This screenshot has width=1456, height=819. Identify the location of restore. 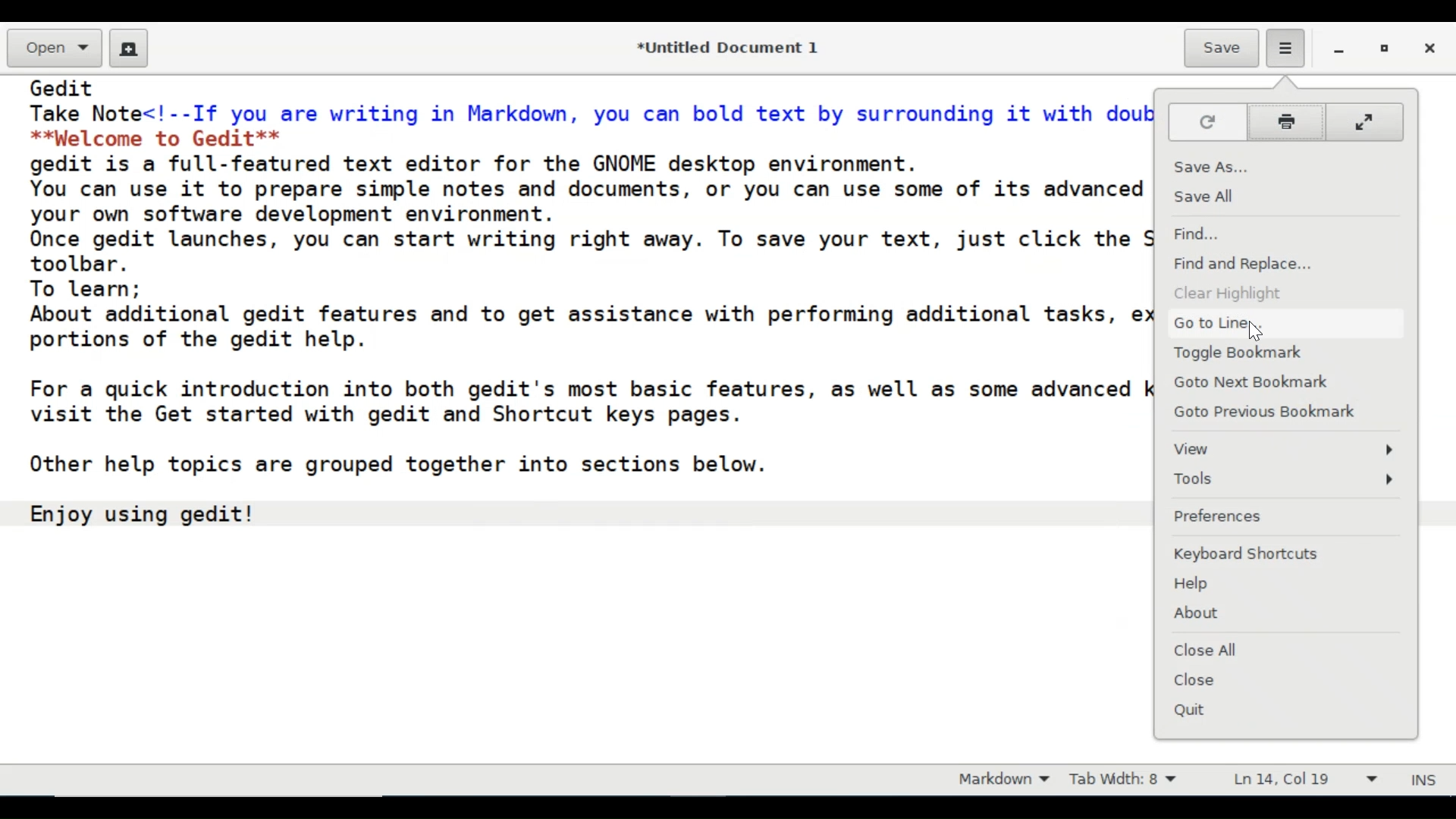
(1386, 51).